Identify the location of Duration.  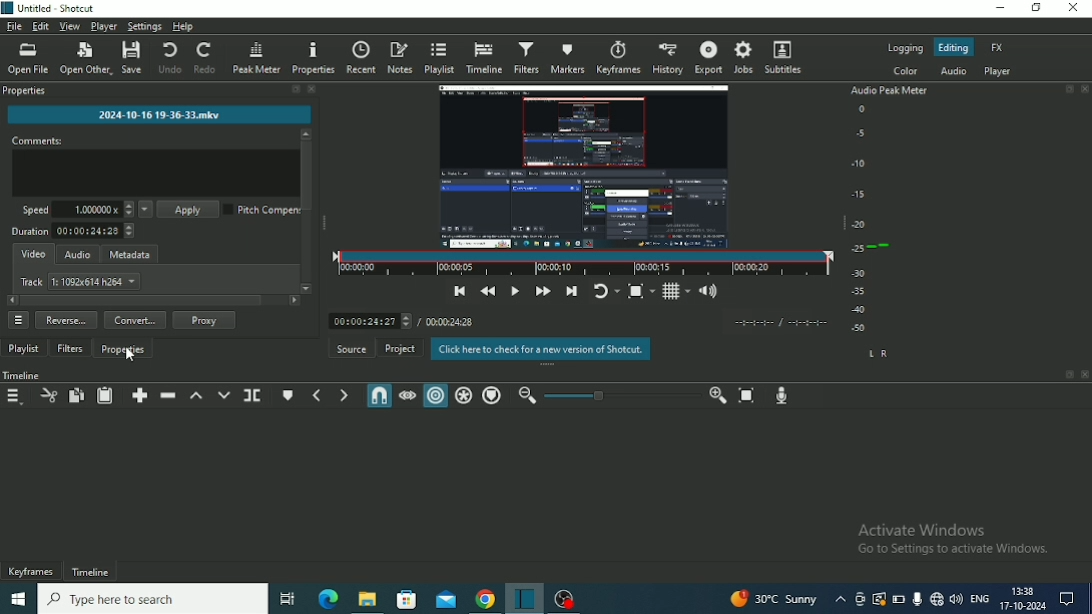
(74, 231).